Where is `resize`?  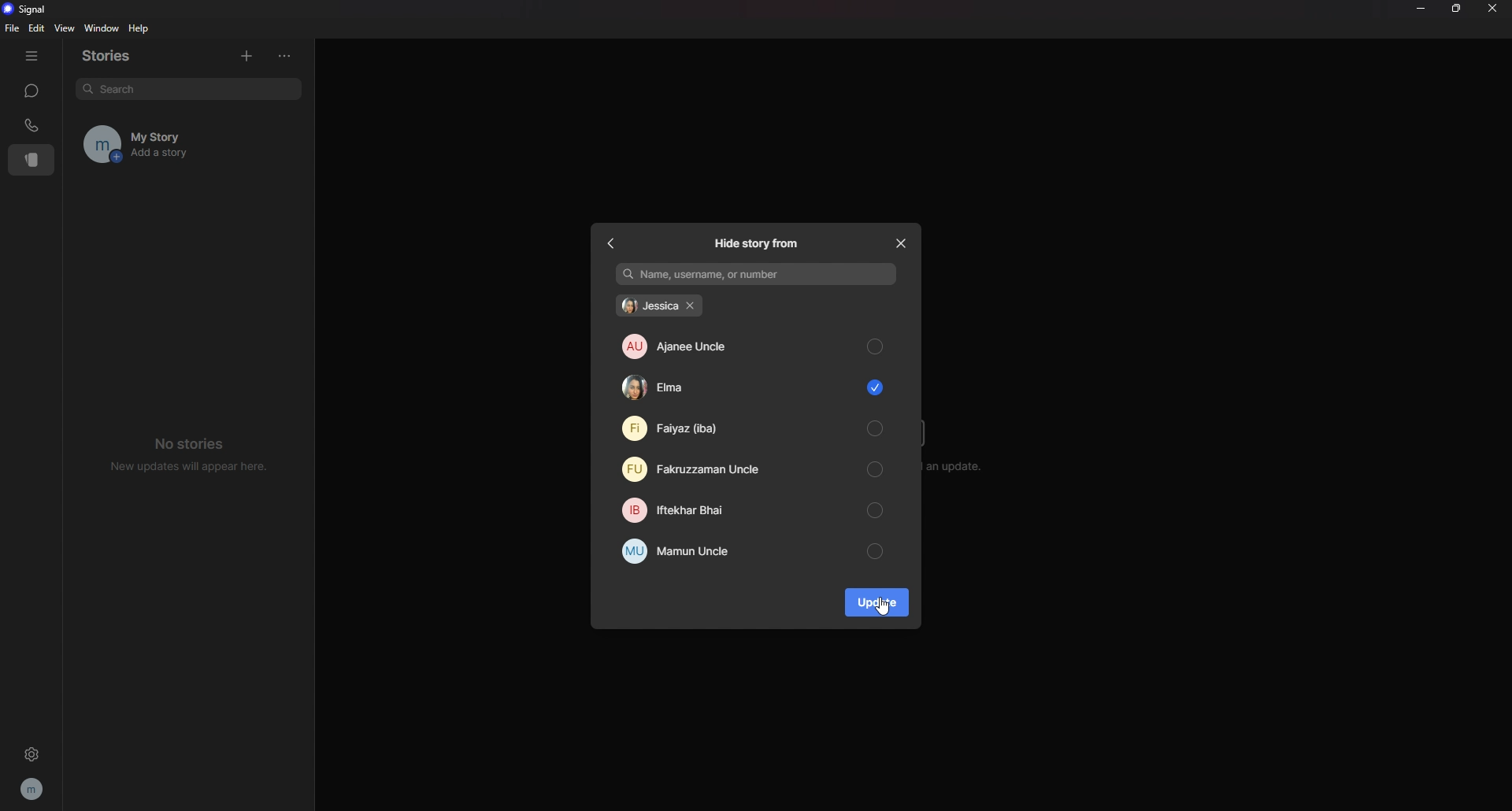
resize is located at coordinates (1458, 9).